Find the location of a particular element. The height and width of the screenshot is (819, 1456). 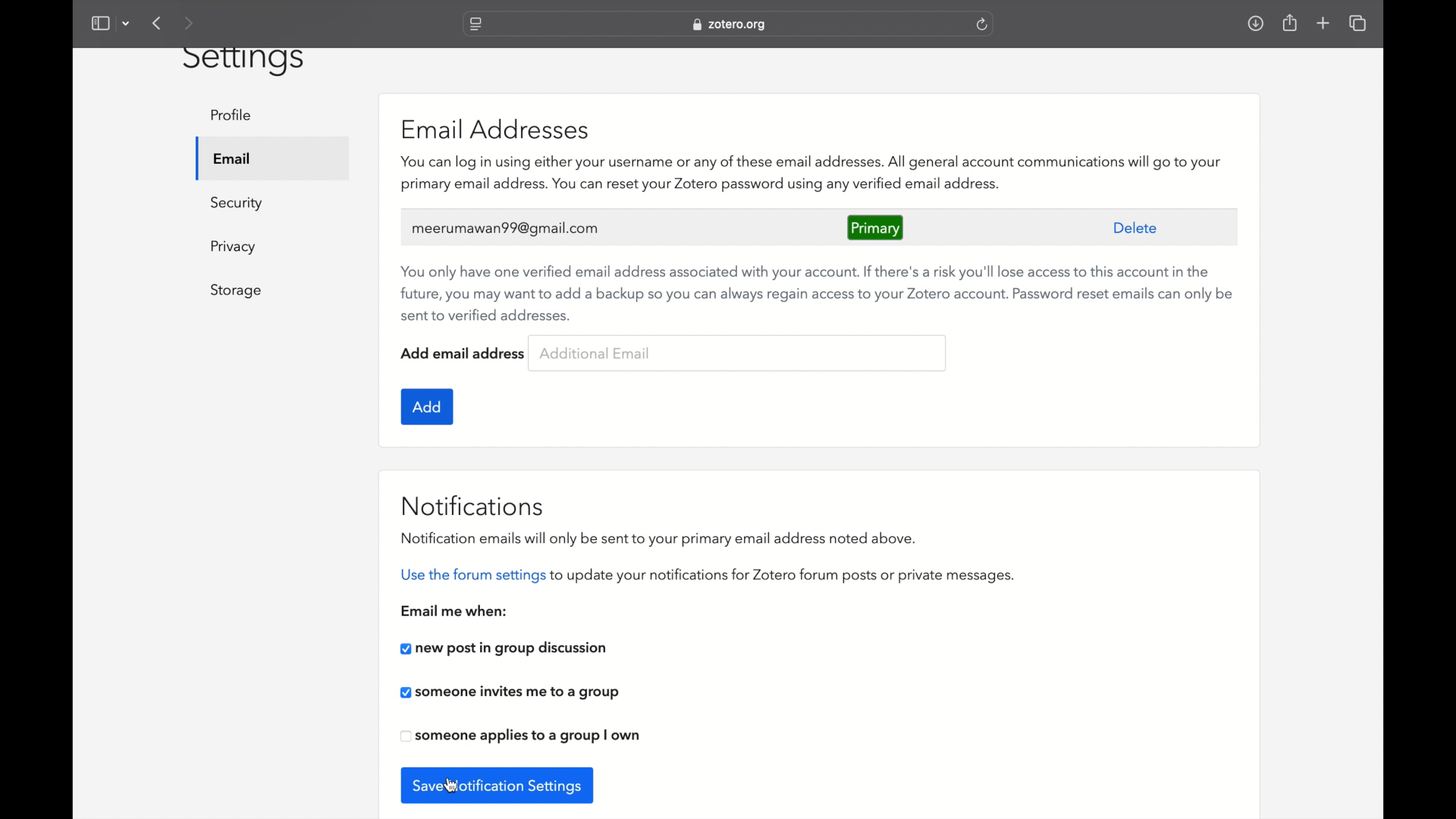

primary is located at coordinates (874, 227).